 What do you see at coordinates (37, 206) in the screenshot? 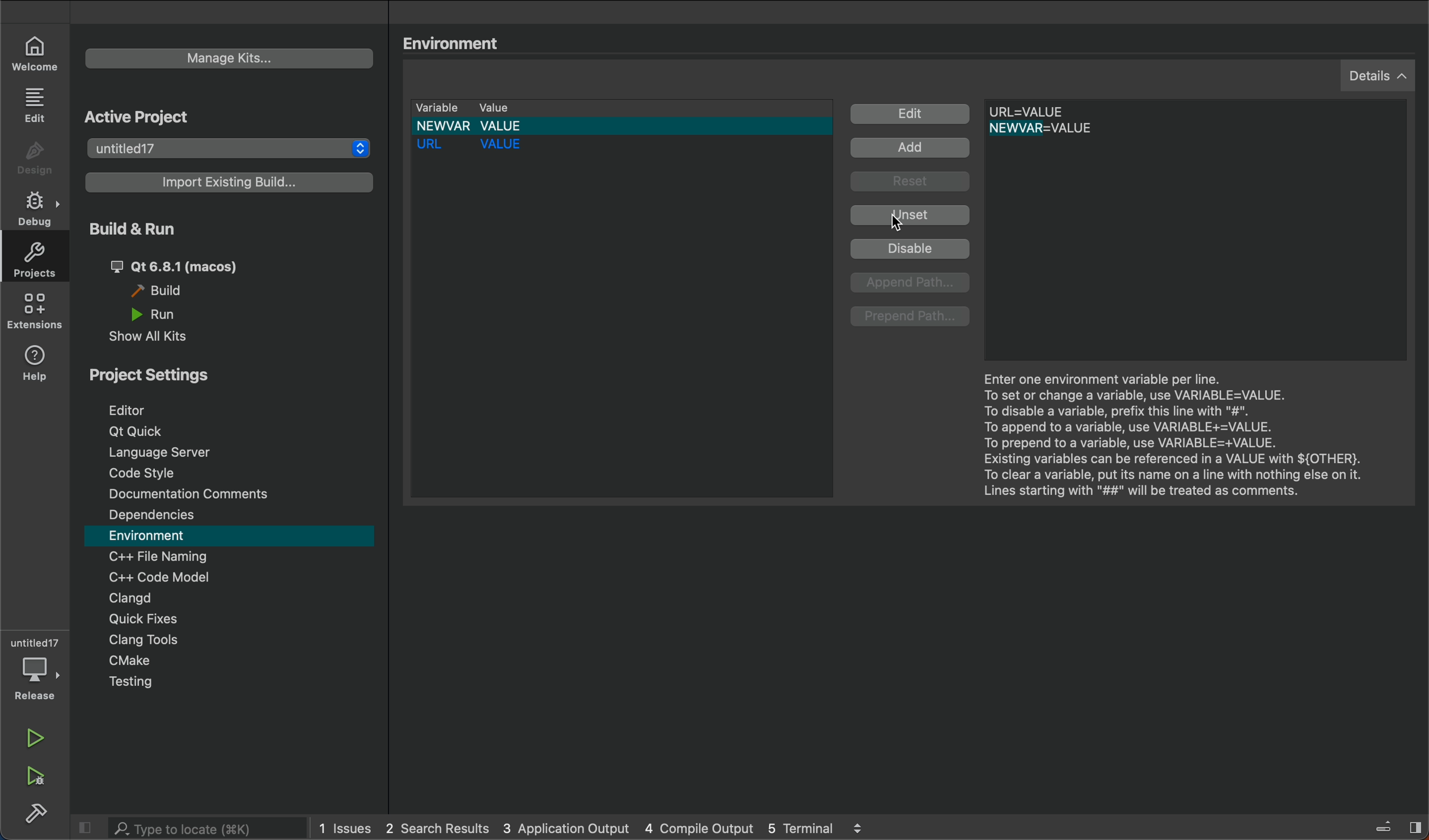
I see `debug` at bounding box center [37, 206].